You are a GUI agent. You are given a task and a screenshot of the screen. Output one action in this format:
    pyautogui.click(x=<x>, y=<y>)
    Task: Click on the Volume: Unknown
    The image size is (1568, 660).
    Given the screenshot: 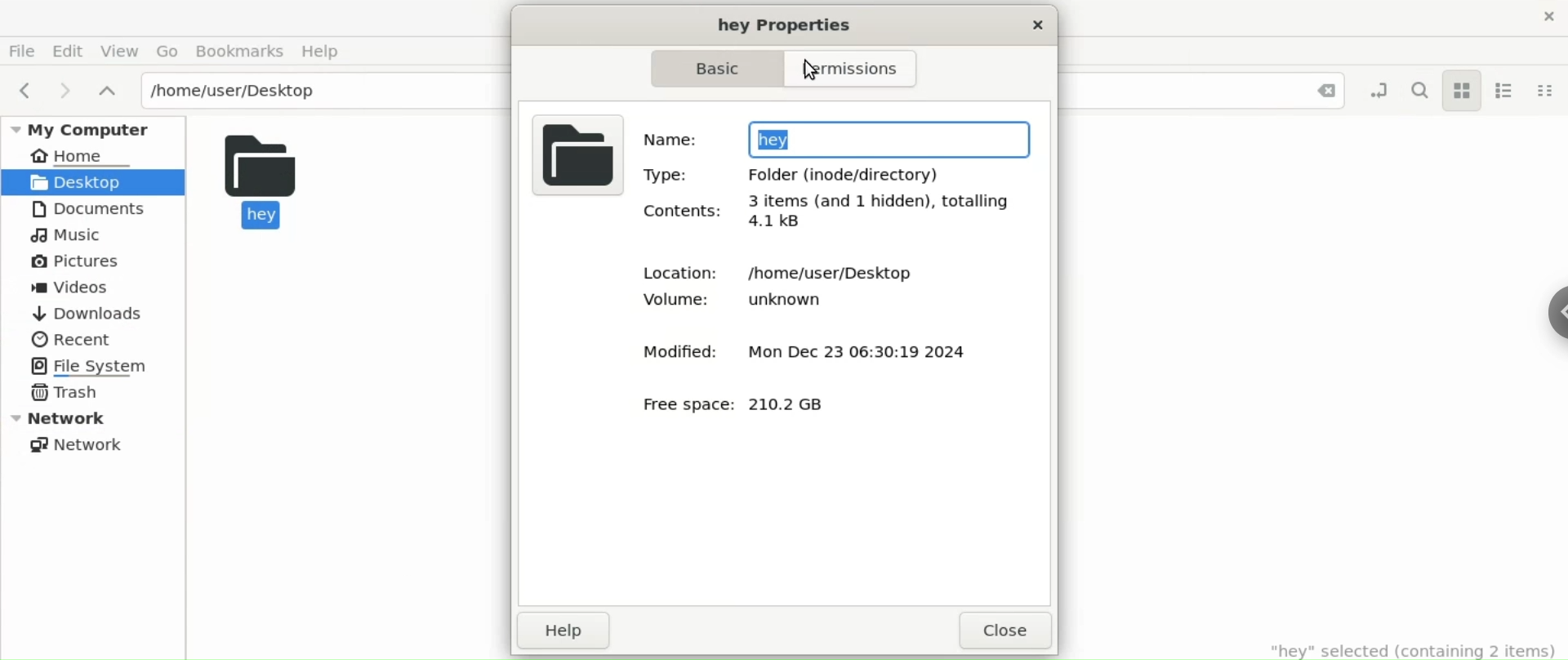 What is the action you would take?
    pyautogui.click(x=753, y=303)
    